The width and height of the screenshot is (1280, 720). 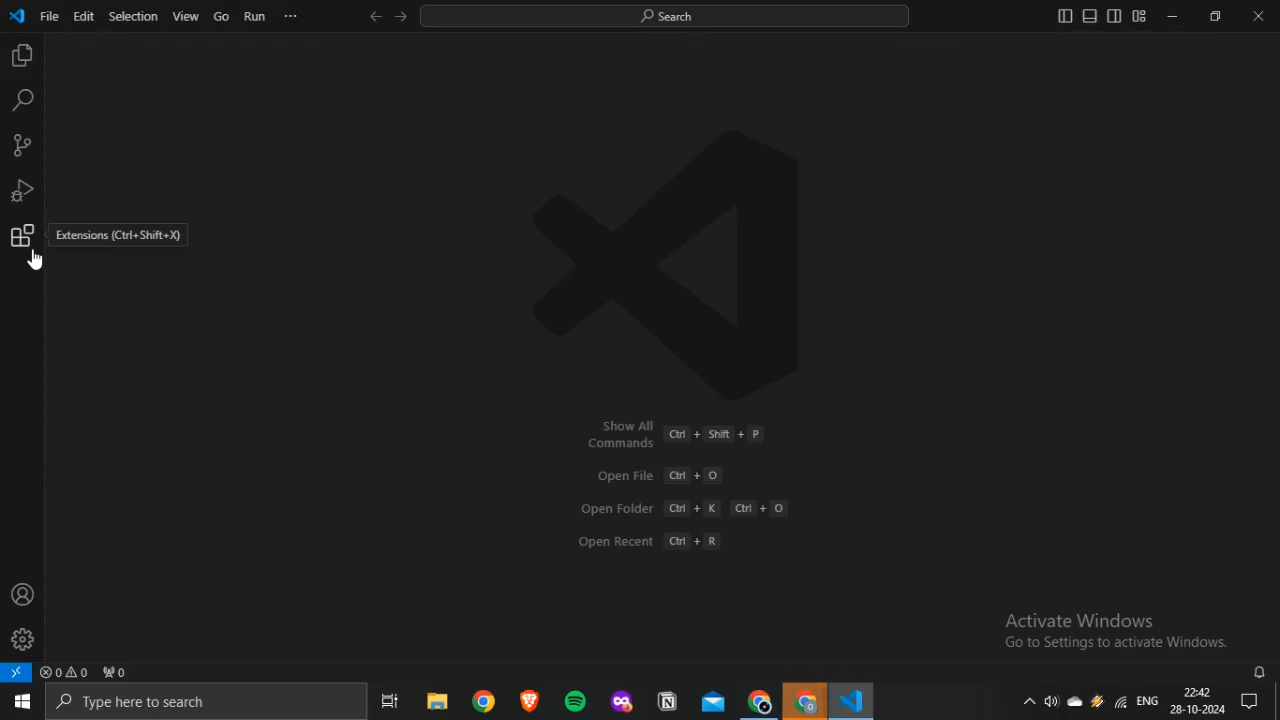 I want to click on search, so click(x=22, y=101).